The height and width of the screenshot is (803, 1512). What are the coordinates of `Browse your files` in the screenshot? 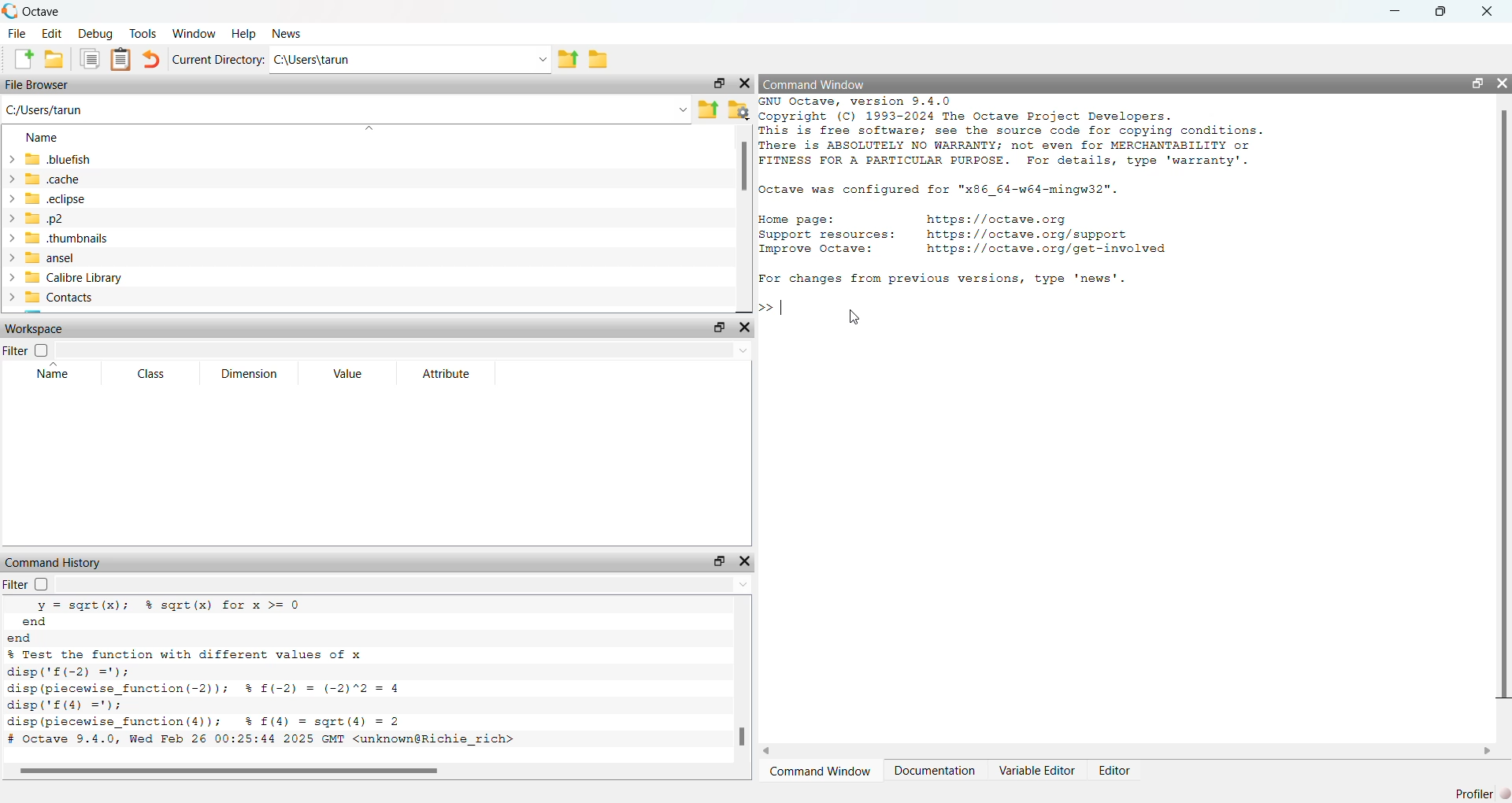 It's located at (737, 109).